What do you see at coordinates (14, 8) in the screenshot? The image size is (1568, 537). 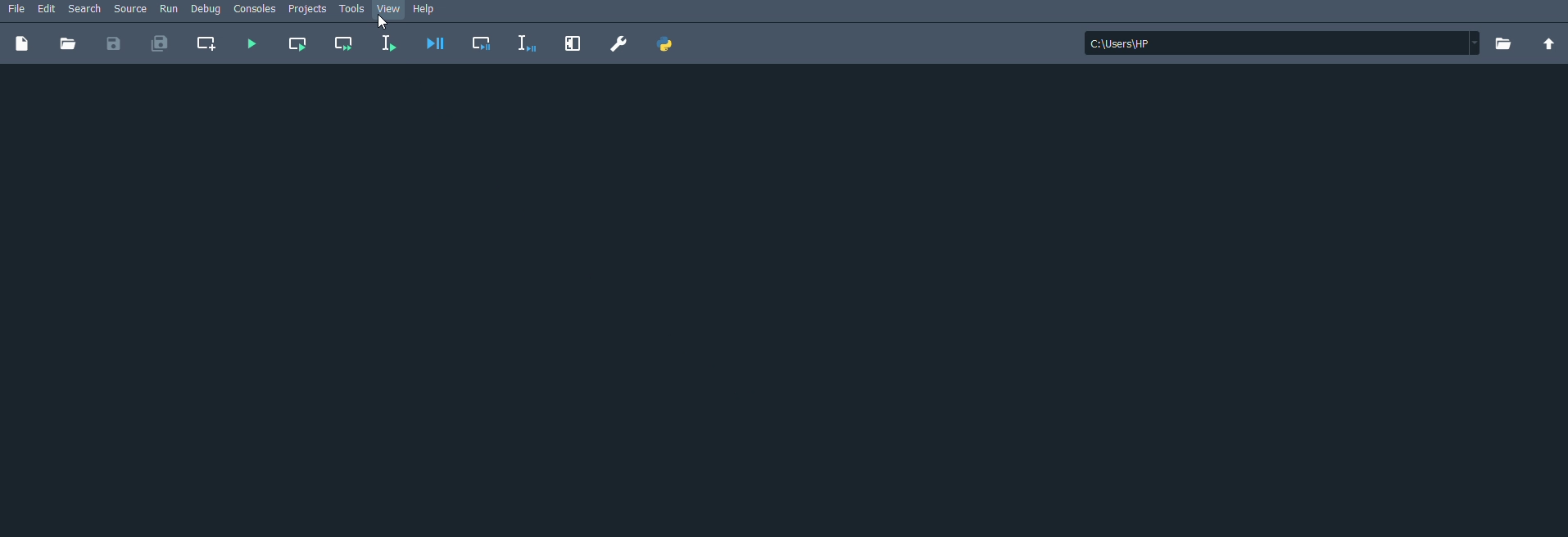 I see `File` at bounding box center [14, 8].